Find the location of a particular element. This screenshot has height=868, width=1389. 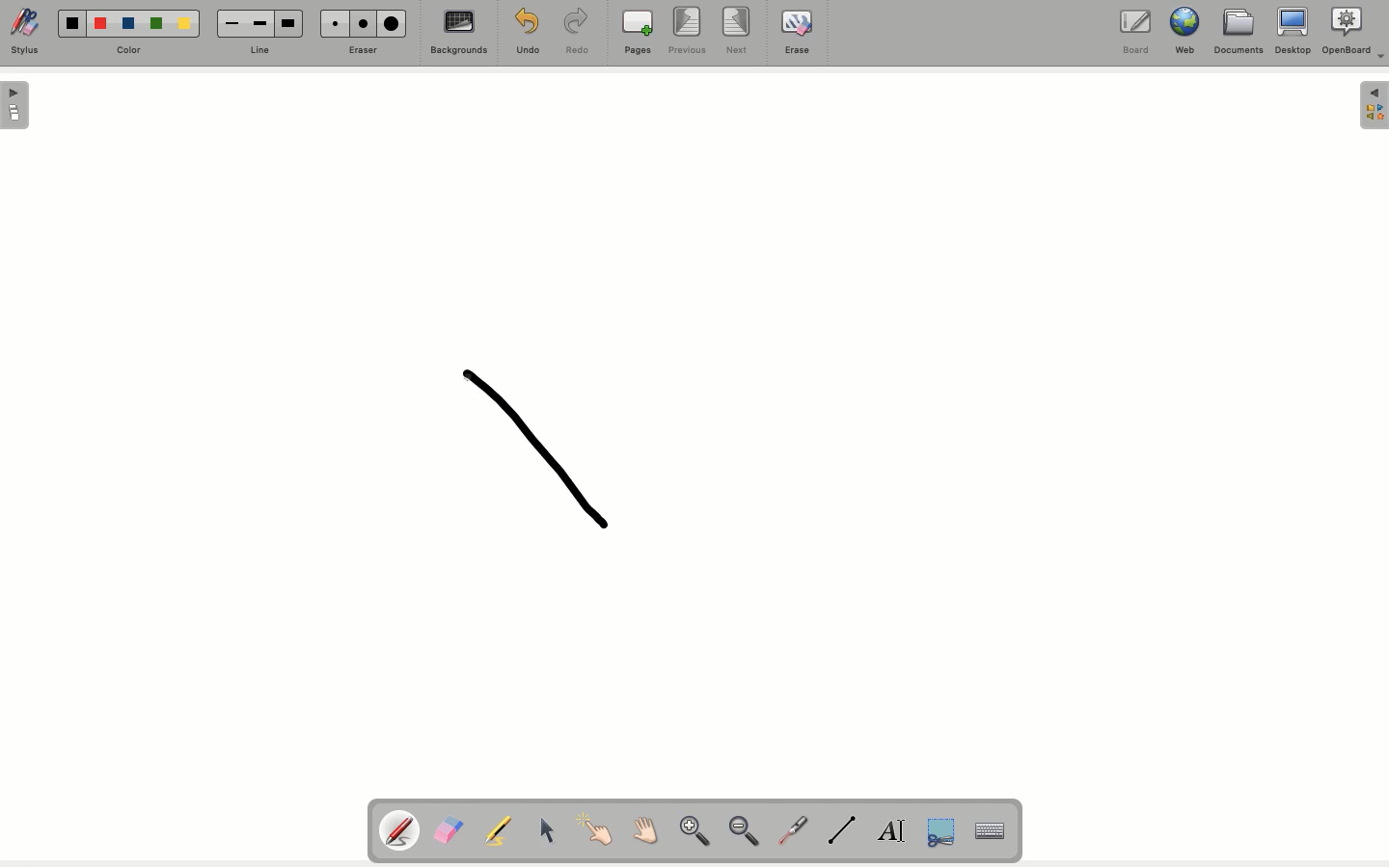

Web is located at coordinates (1187, 32).